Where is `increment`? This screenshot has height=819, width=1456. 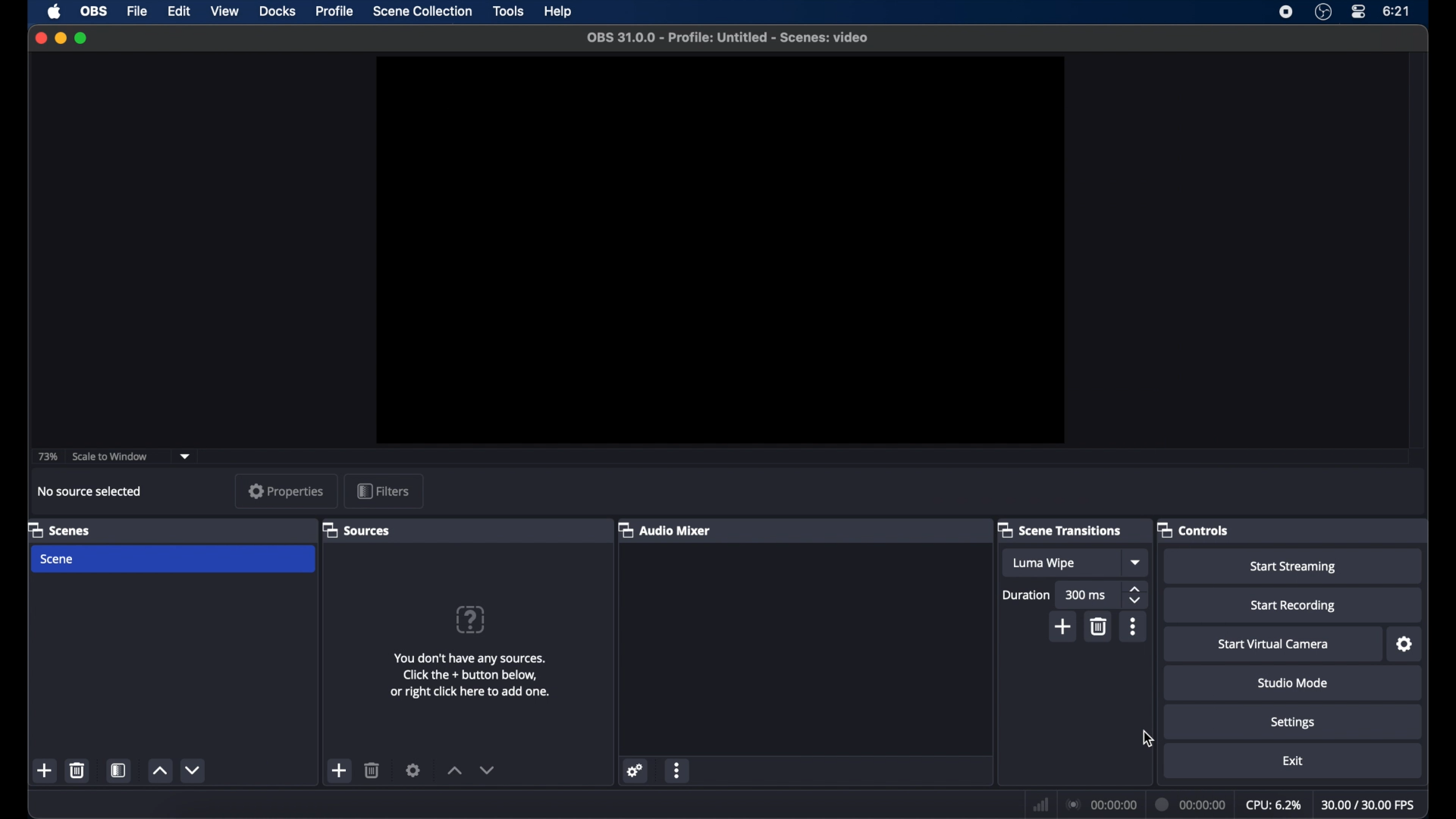 increment is located at coordinates (454, 770).